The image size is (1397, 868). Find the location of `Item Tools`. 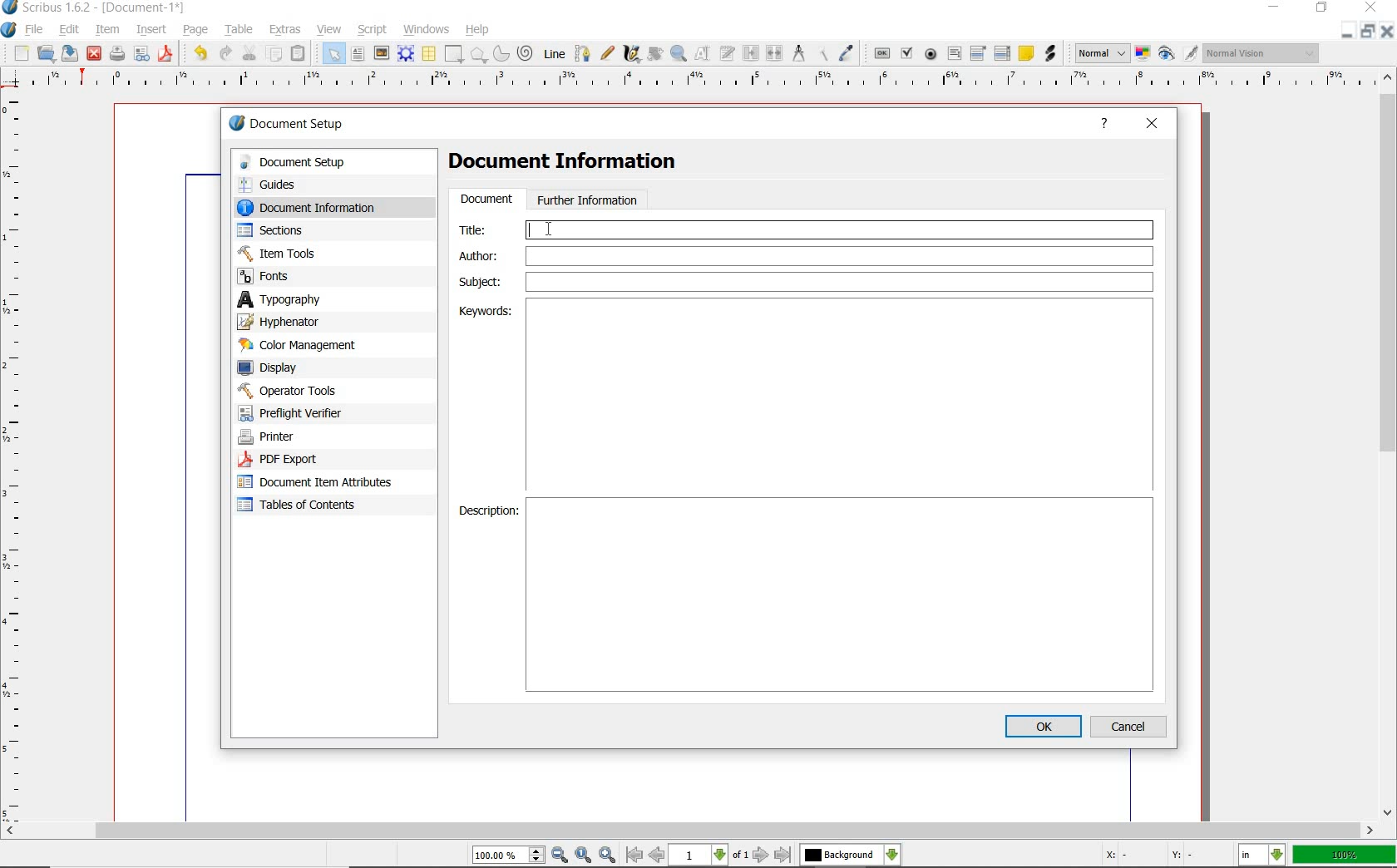

Item Tools is located at coordinates (315, 253).